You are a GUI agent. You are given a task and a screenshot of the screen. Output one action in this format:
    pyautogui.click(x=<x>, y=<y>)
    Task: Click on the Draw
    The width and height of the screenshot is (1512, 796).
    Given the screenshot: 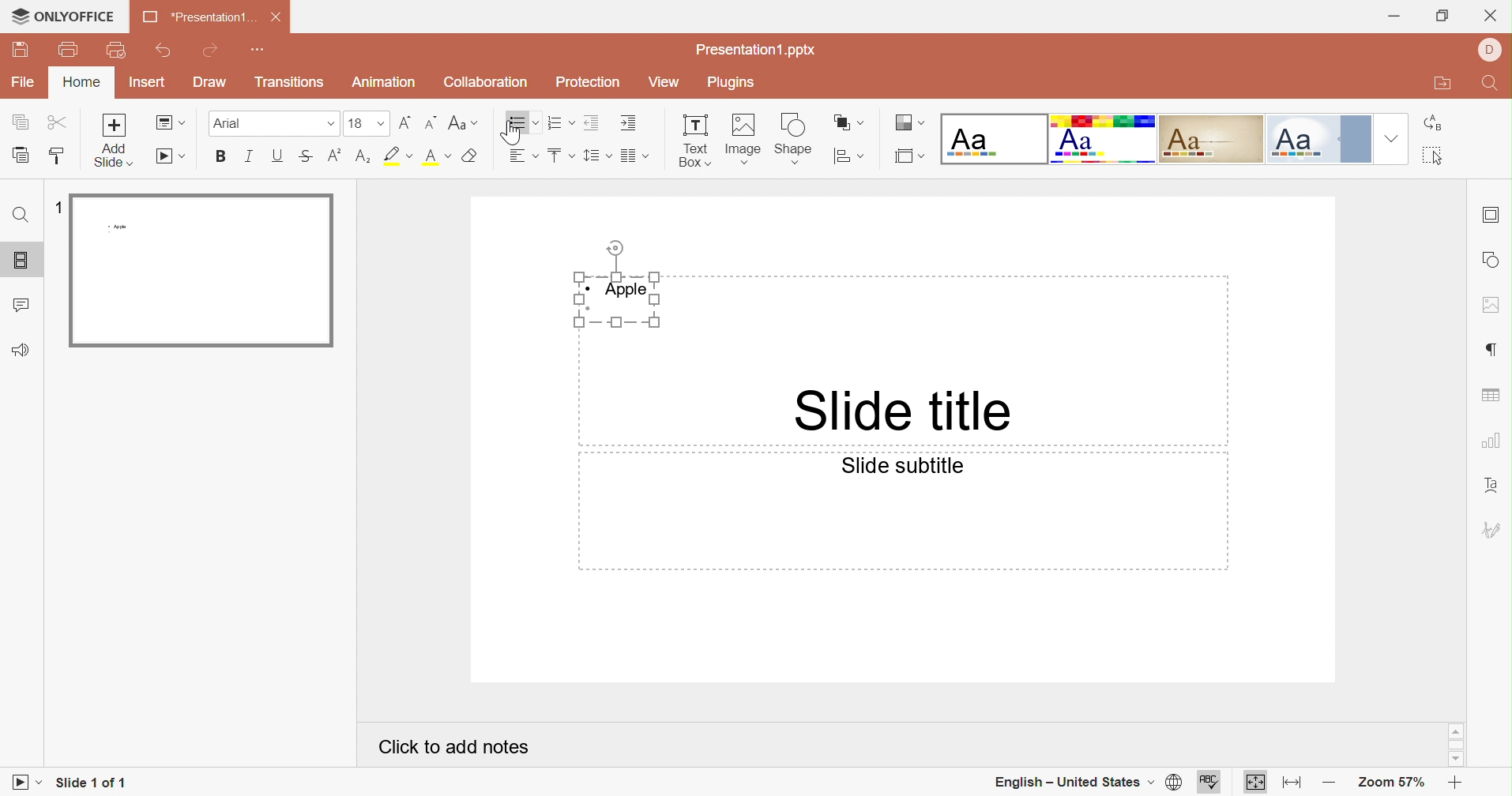 What is the action you would take?
    pyautogui.click(x=213, y=83)
    